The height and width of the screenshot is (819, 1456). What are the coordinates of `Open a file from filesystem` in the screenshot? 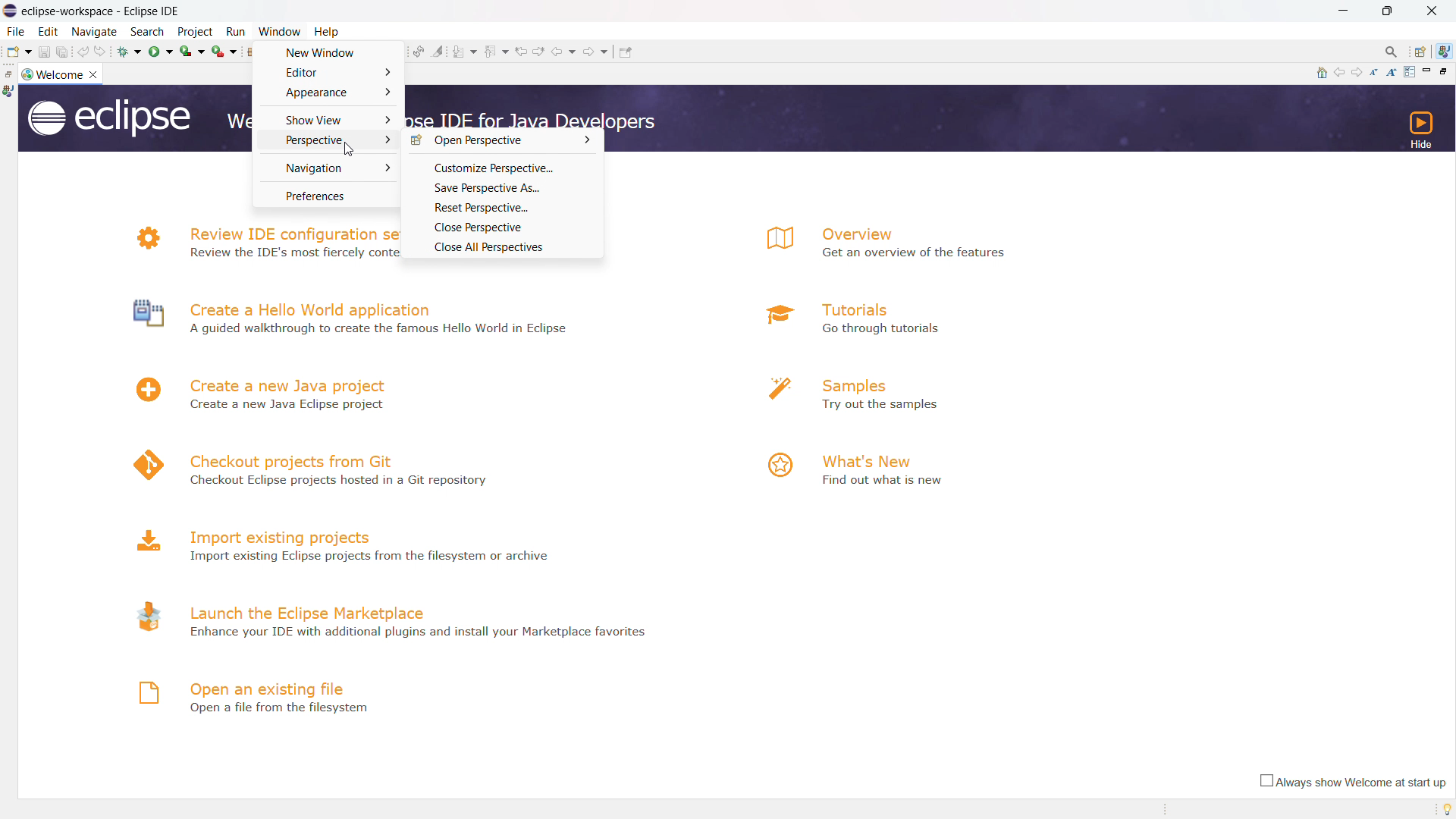 It's located at (277, 710).